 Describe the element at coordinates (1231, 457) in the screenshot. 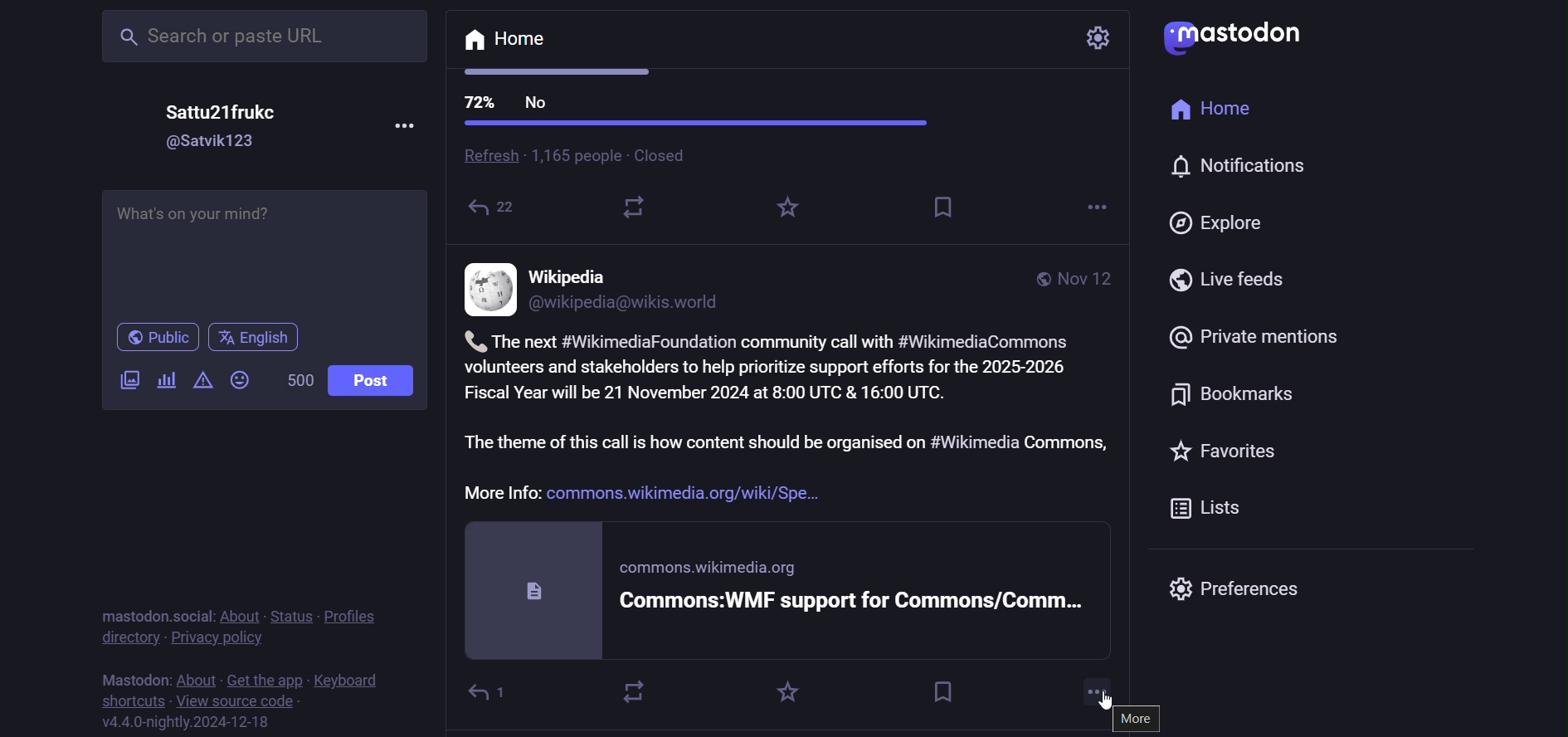

I see `favorite` at that location.